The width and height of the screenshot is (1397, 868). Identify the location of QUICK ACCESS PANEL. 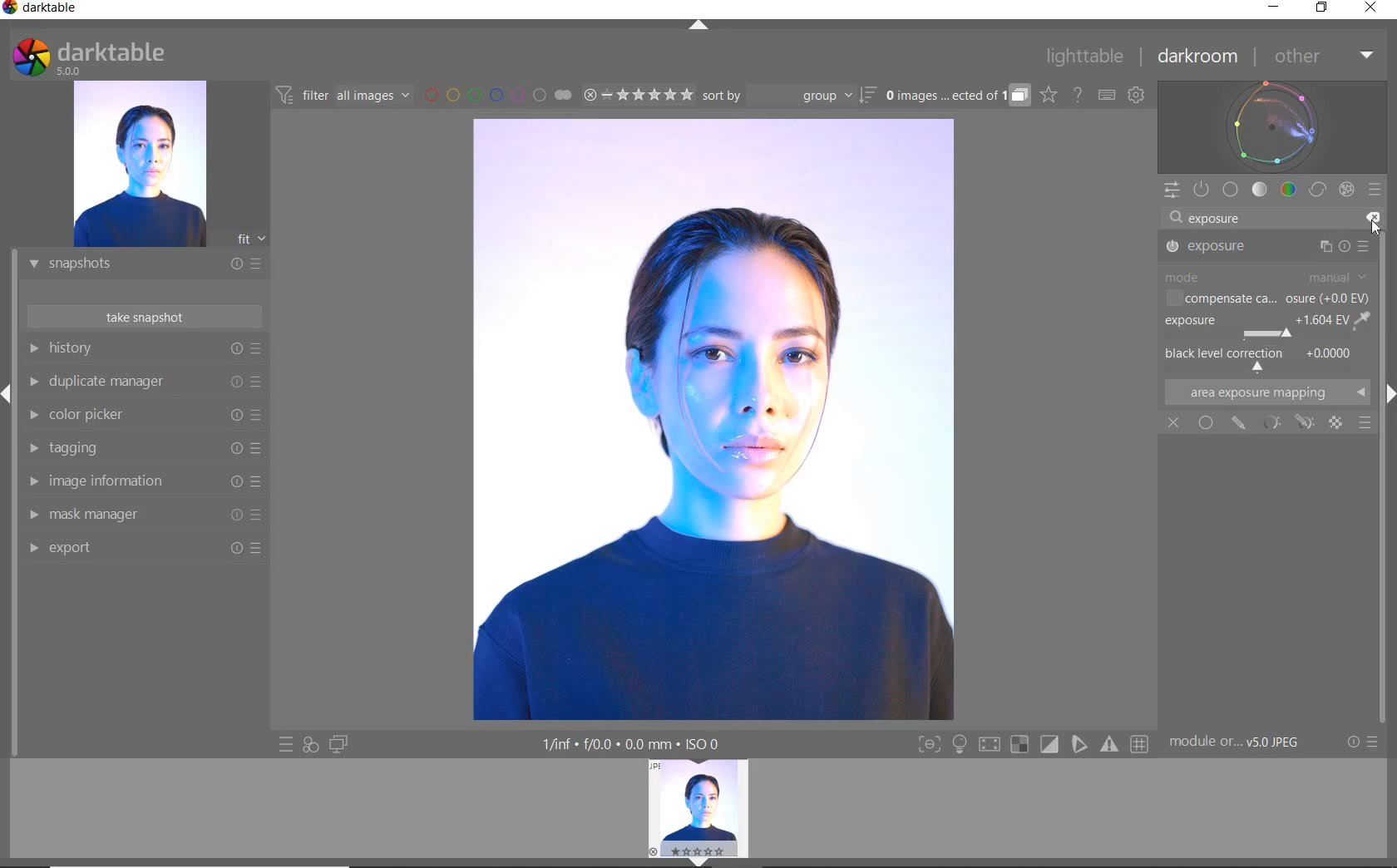
(1171, 191).